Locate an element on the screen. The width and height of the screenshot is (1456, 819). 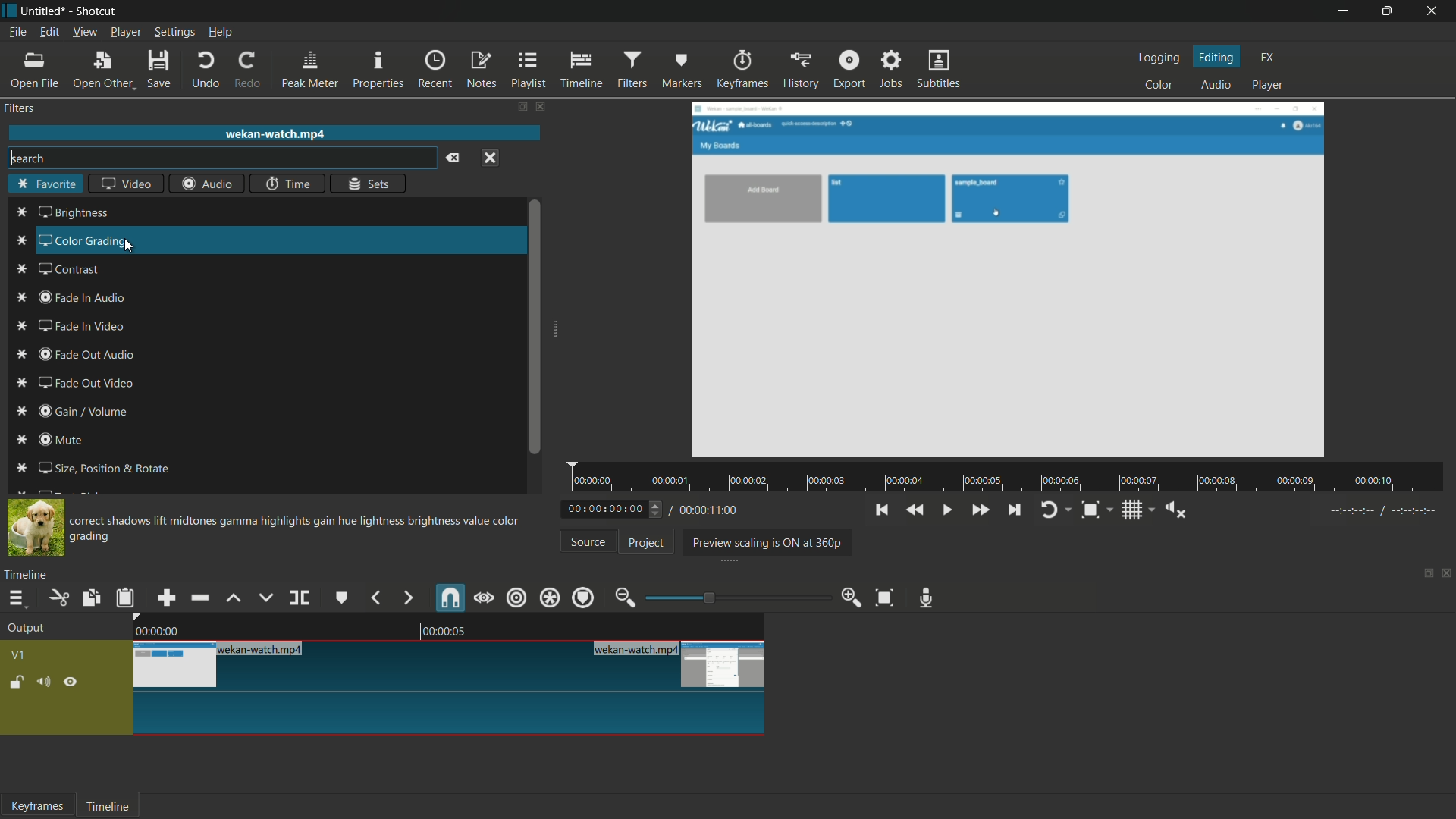
lock is located at coordinates (17, 684).